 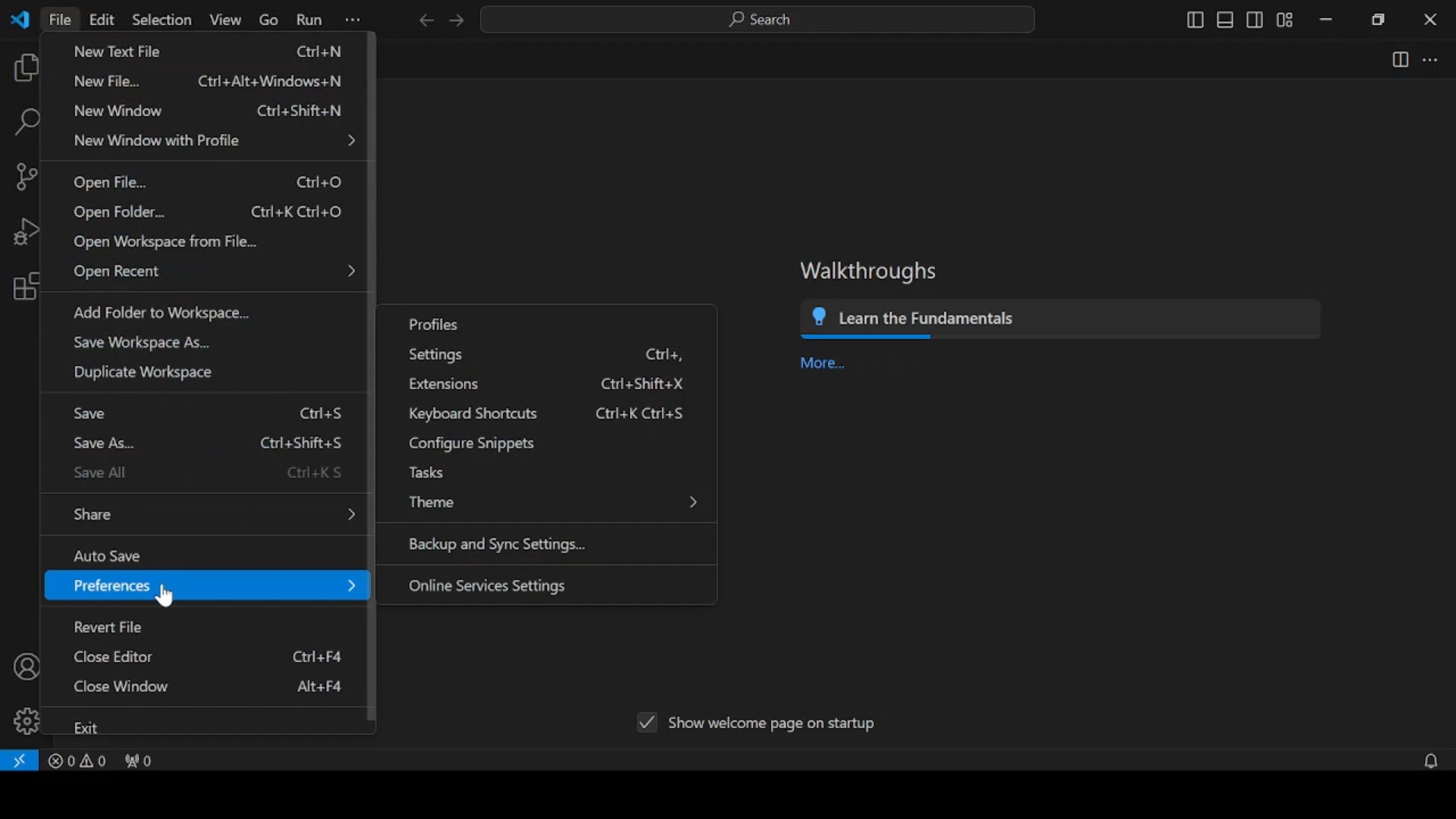 I want to click on new window, so click(x=121, y=110).